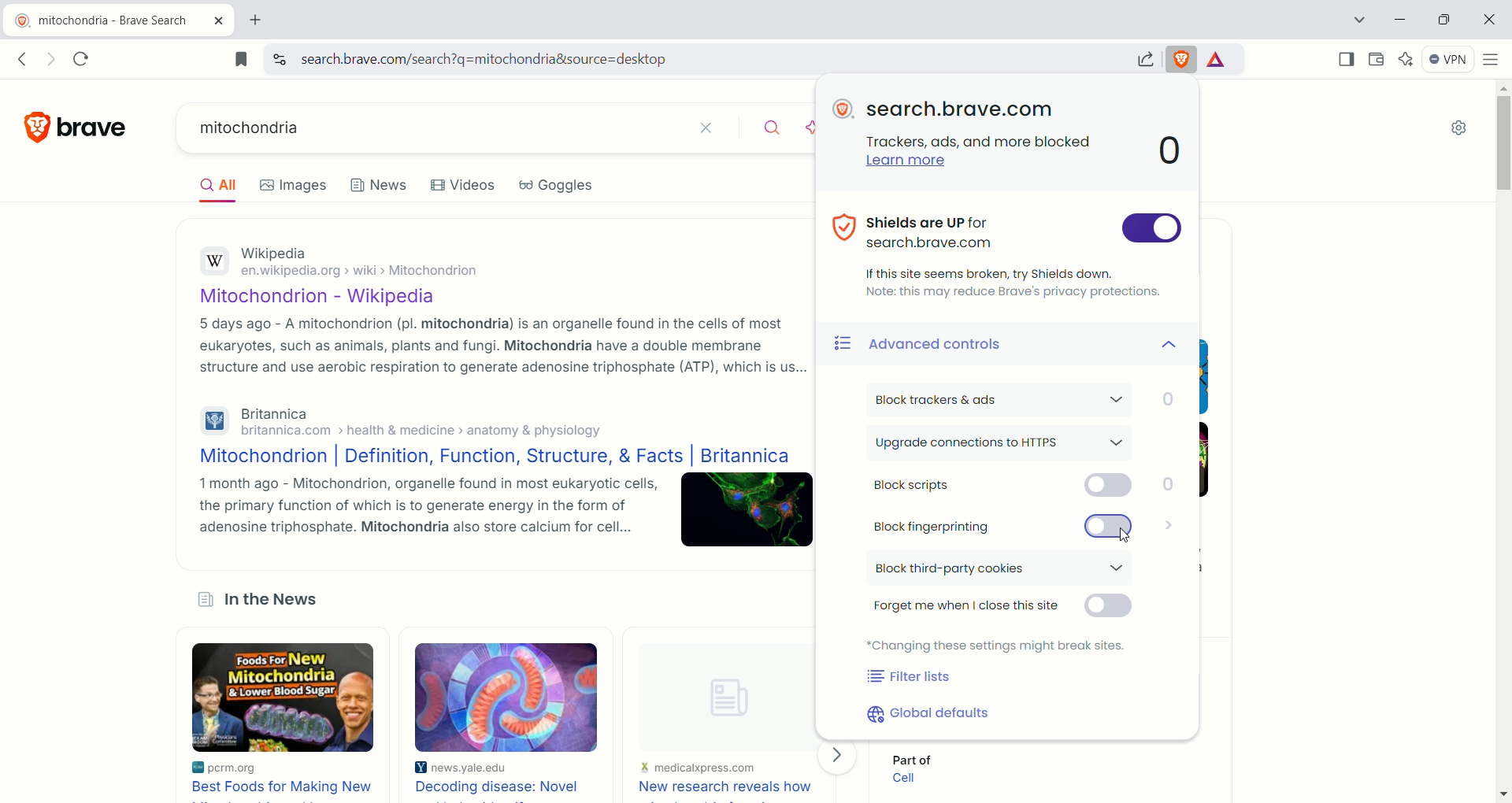 The height and width of the screenshot is (803, 1512). Describe the element at coordinates (749, 510) in the screenshot. I see `Image` at that location.